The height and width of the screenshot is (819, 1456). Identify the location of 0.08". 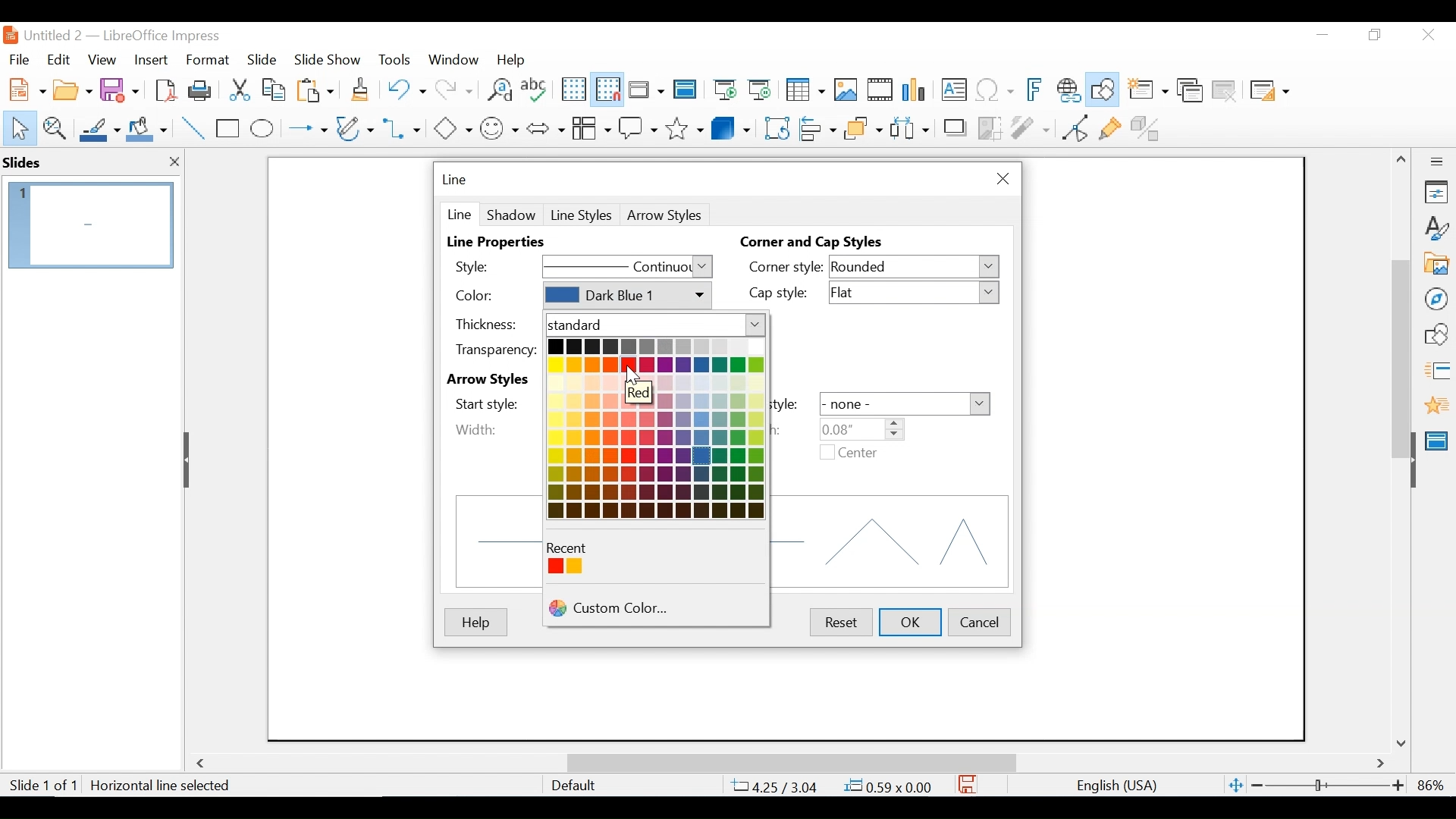
(859, 428).